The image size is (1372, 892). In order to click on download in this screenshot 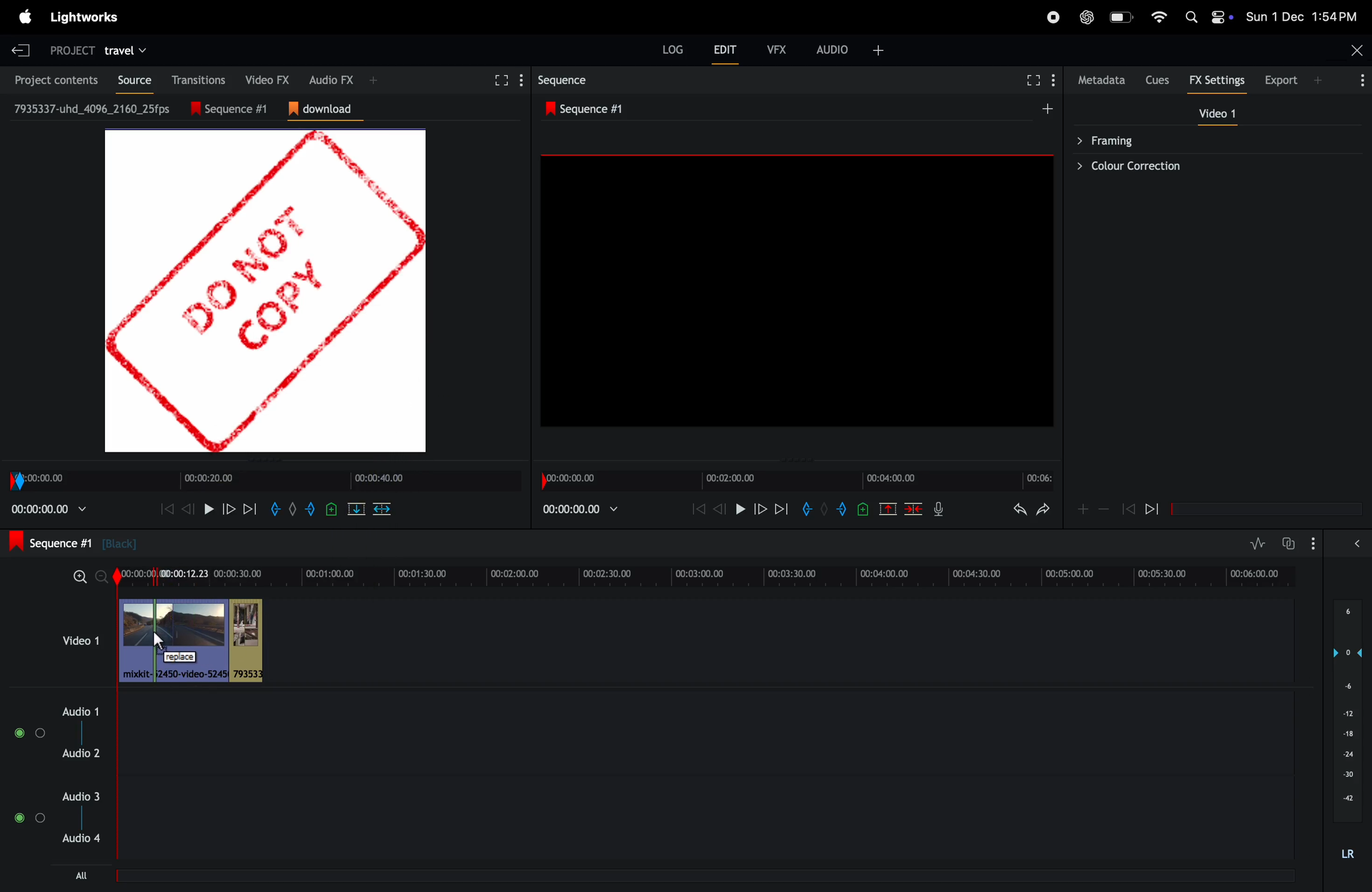, I will do `click(326, 109)`.